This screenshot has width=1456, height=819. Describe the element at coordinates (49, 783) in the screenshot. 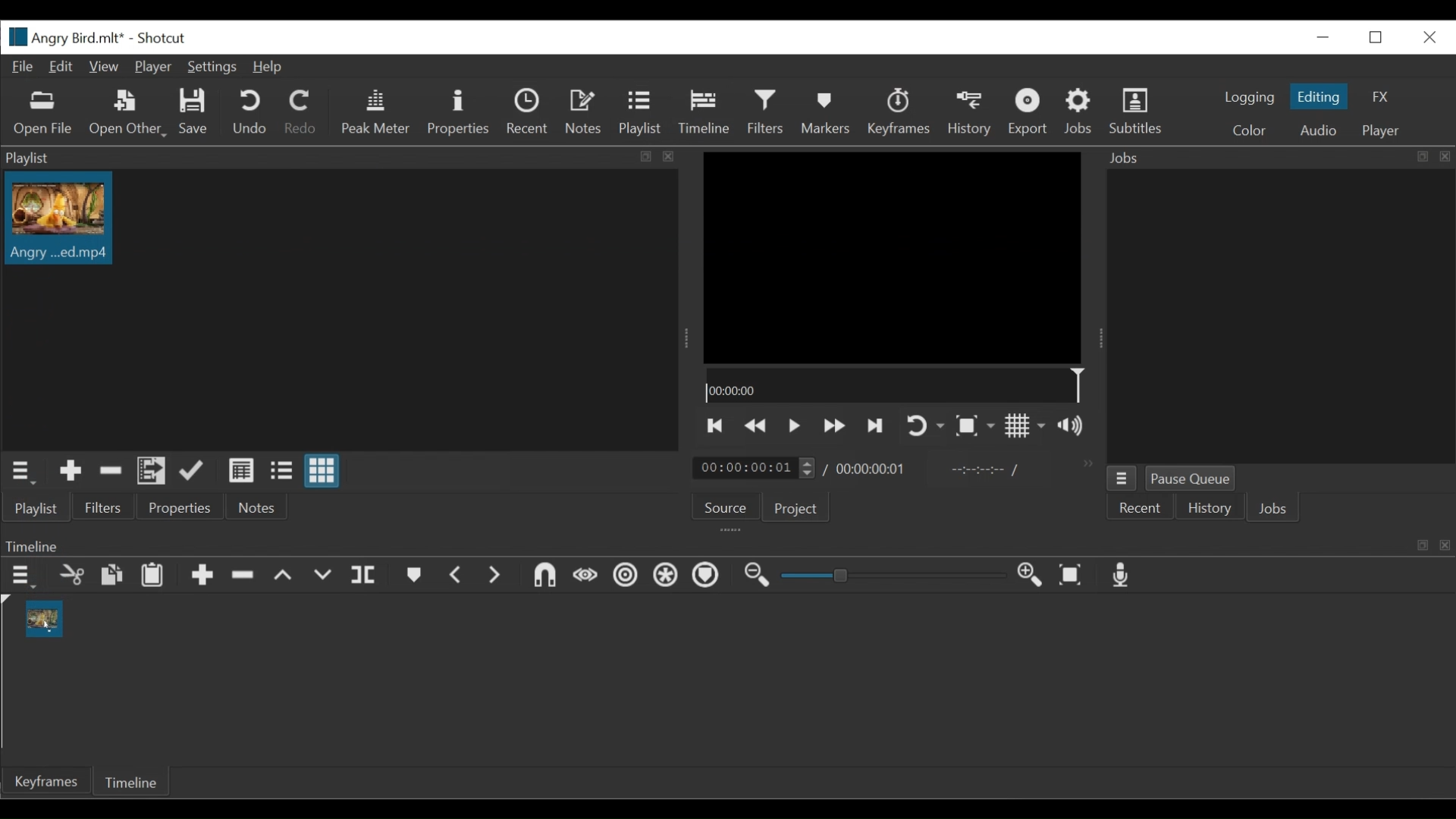

I see `keyframe` at that location.